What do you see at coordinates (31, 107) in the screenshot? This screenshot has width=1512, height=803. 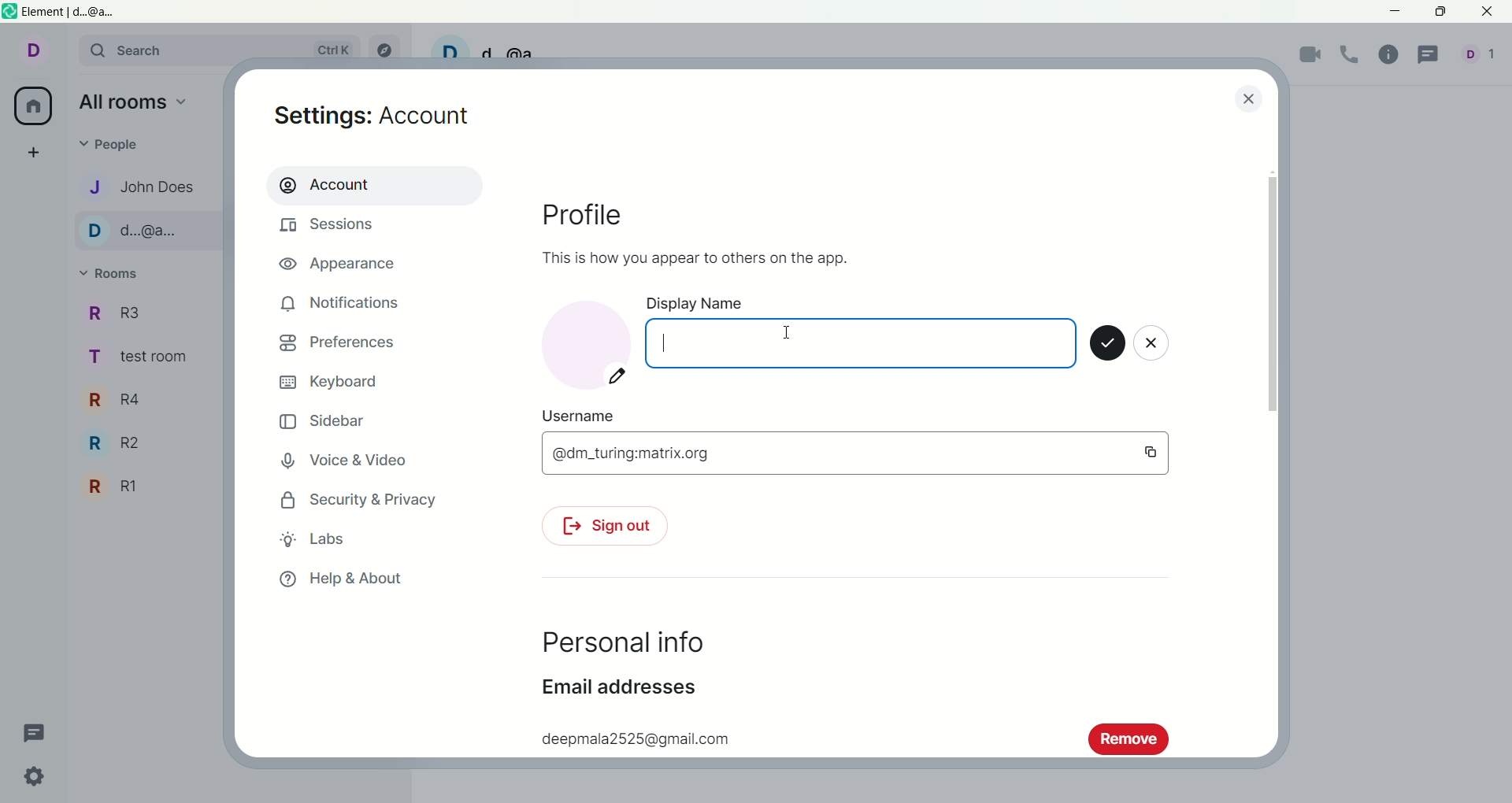 I see `all room` at bounding box center [31, 107].